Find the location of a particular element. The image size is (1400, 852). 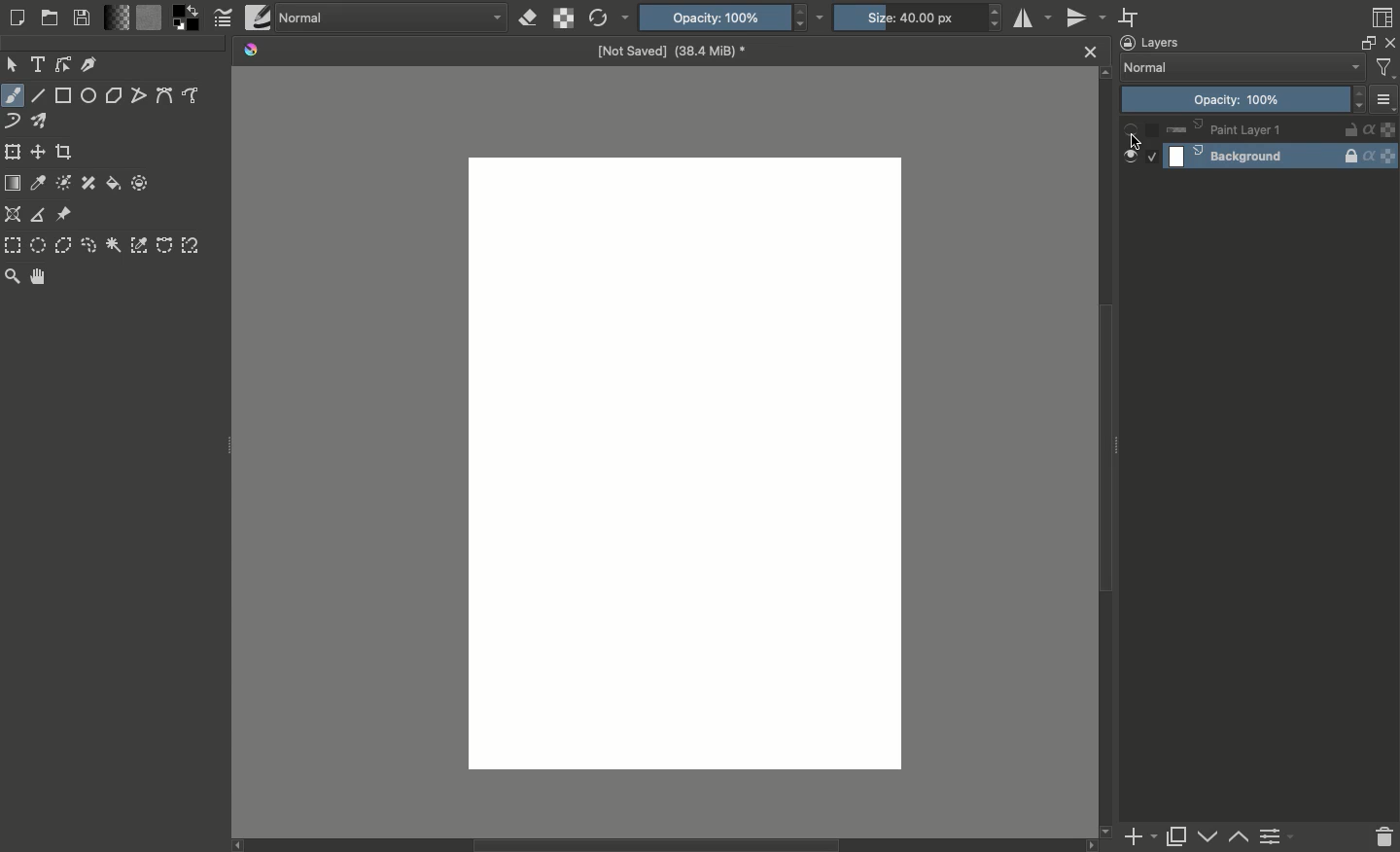

Fill patterns is located at coordinates (148, 18).